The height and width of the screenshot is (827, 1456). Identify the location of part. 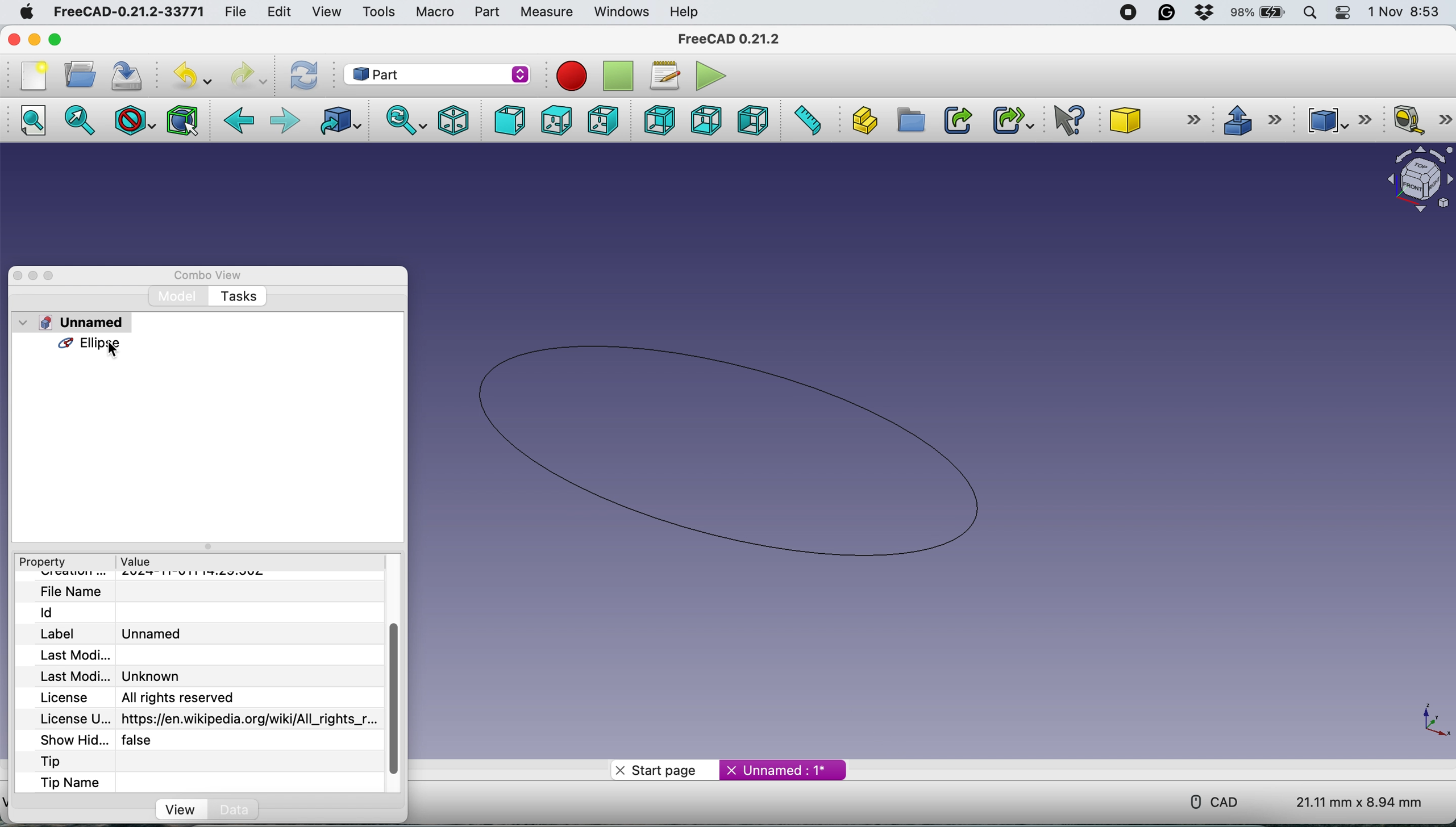
(485, 12).